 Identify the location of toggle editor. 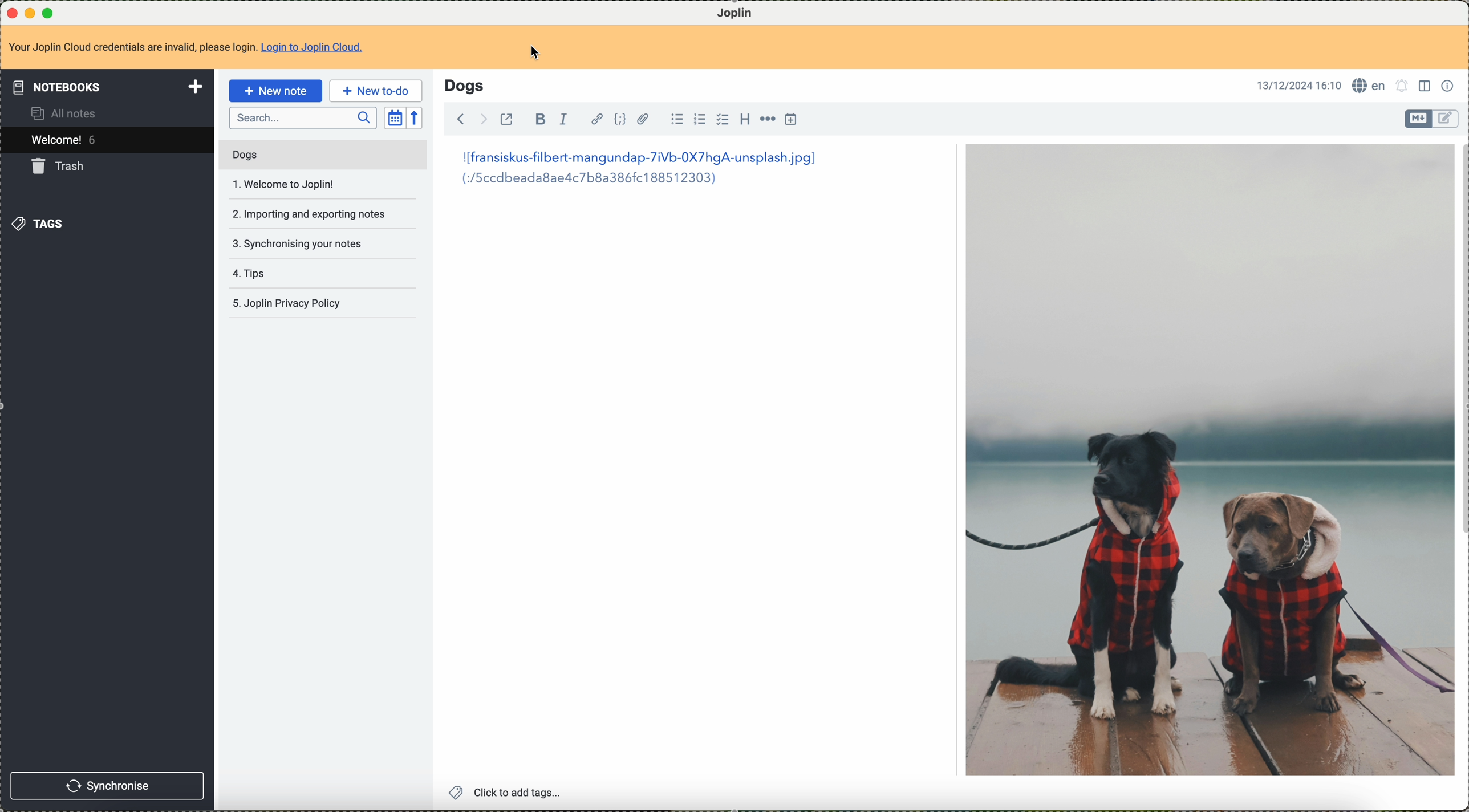
(1447, 118).